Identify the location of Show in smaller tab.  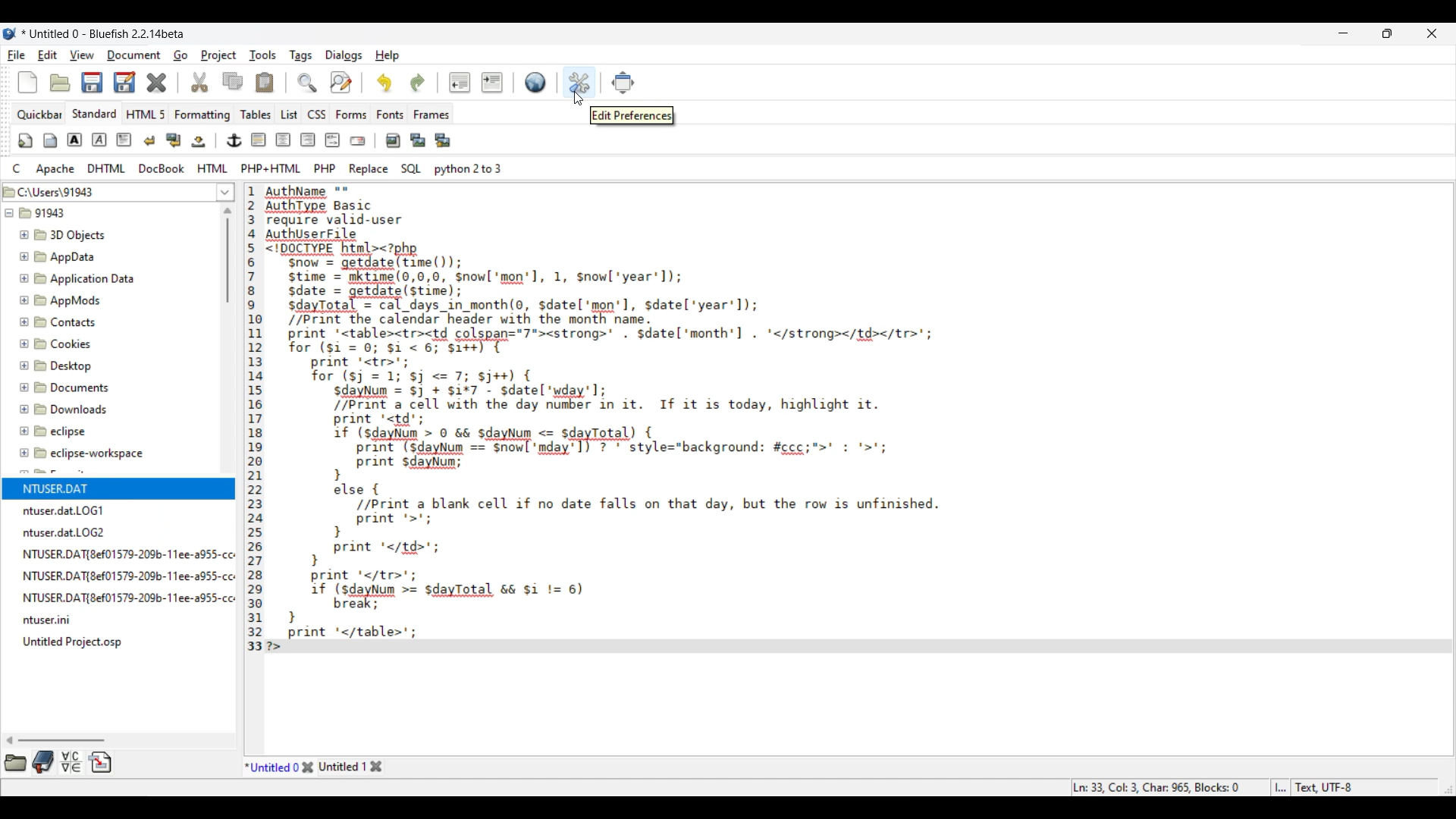
(1387, 33).